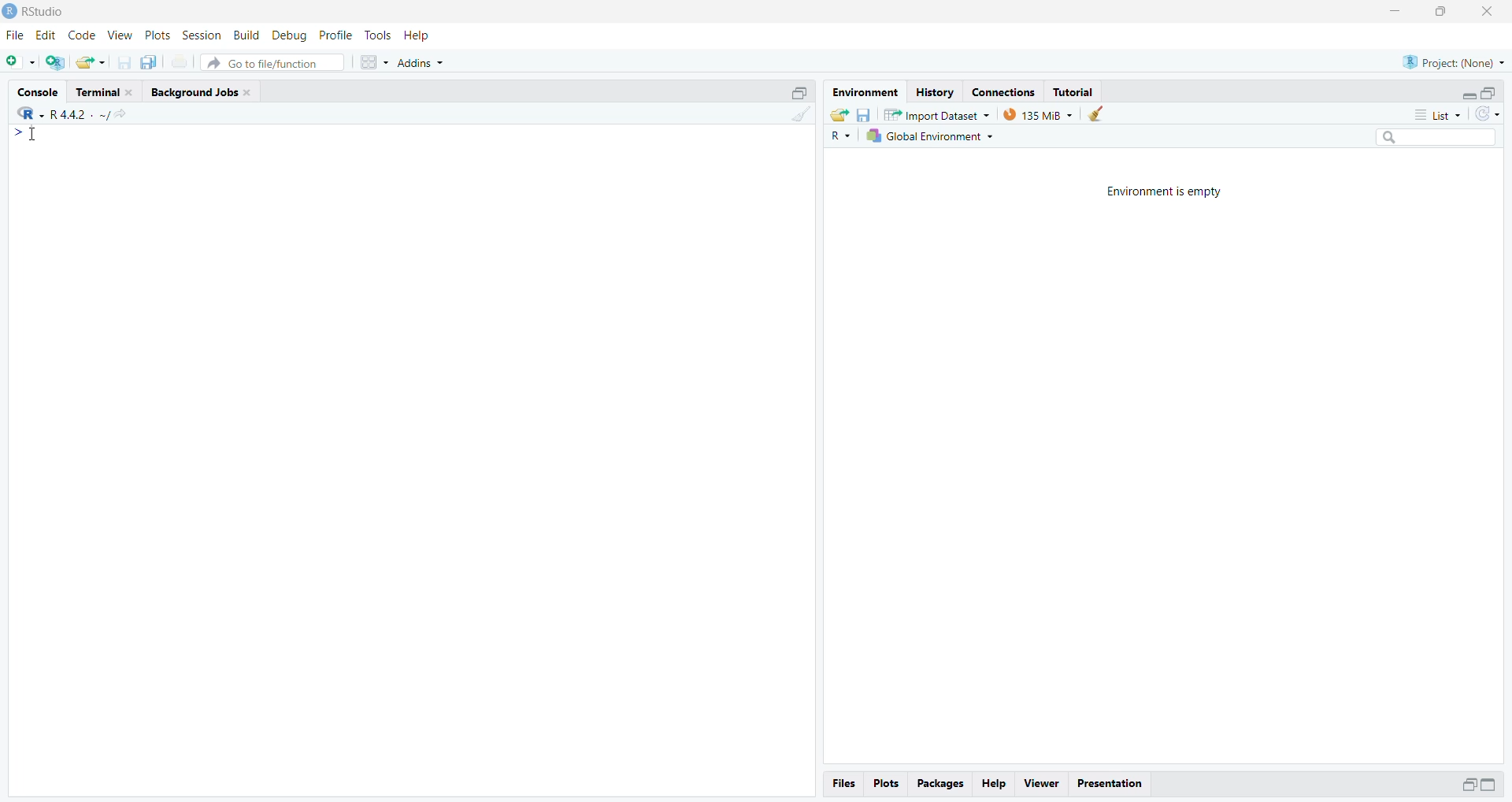 The height and width of the screenshot is (802, 1512). I want to click on Search bar, so click(1443, 139).